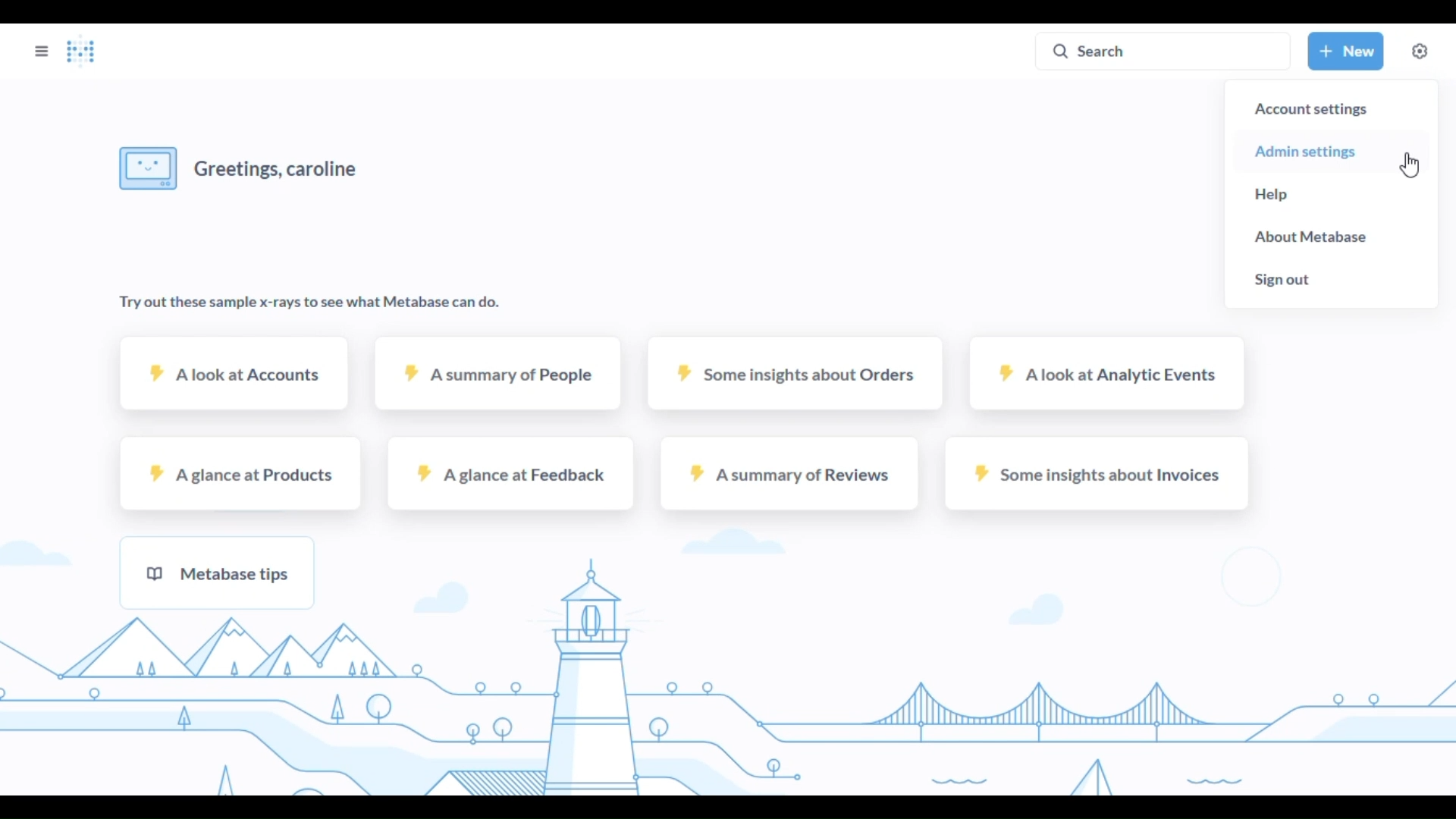 This screenshot has height=819, width=1456. Describe the element at coordinates (80, 52) in the screenshot. I see `logo` at that location.